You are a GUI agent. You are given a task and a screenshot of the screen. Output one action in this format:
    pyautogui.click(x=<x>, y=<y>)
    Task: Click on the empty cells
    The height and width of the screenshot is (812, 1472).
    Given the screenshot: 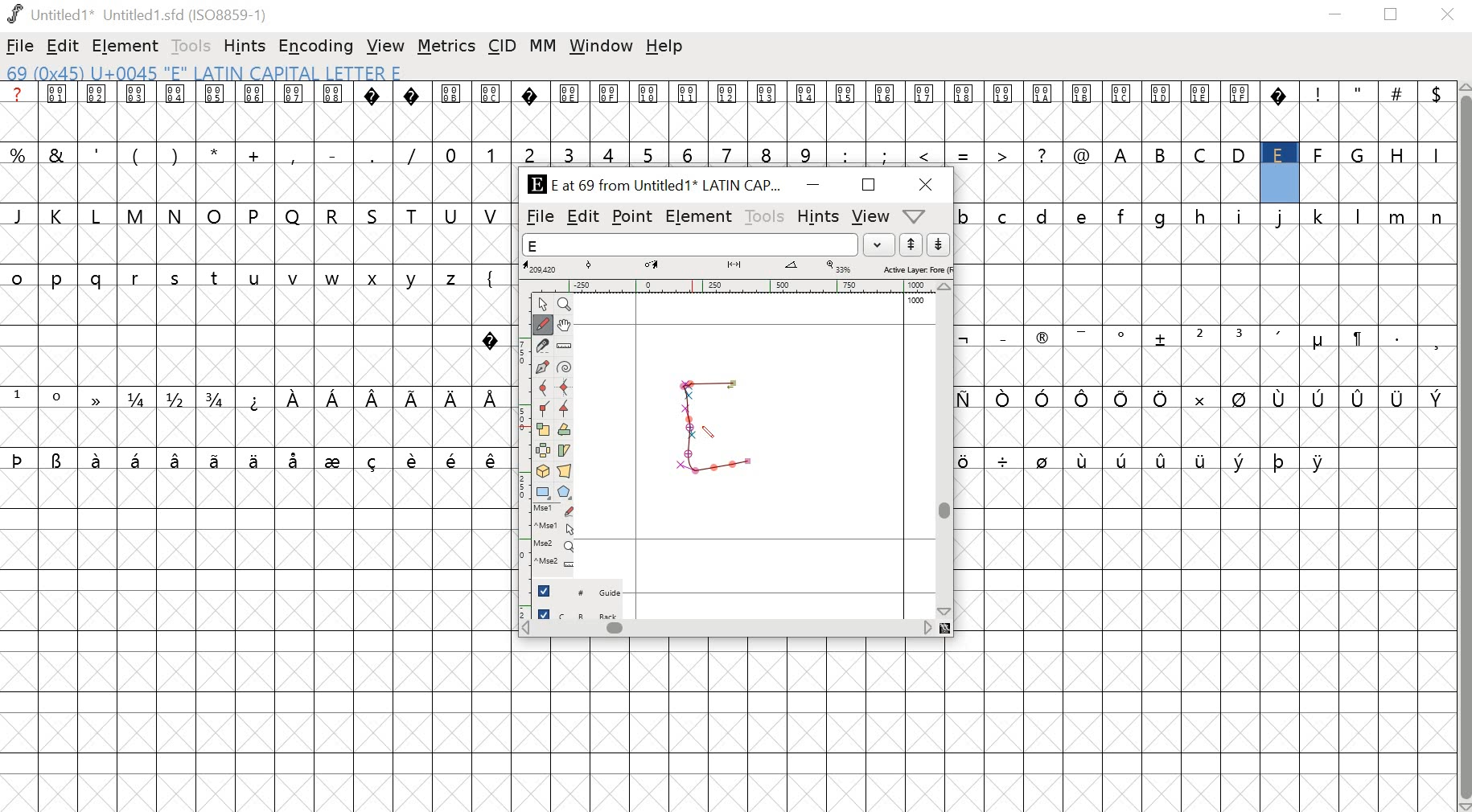 What is the action you would take?
    pyautogui.click(x=1205, y=367)
    